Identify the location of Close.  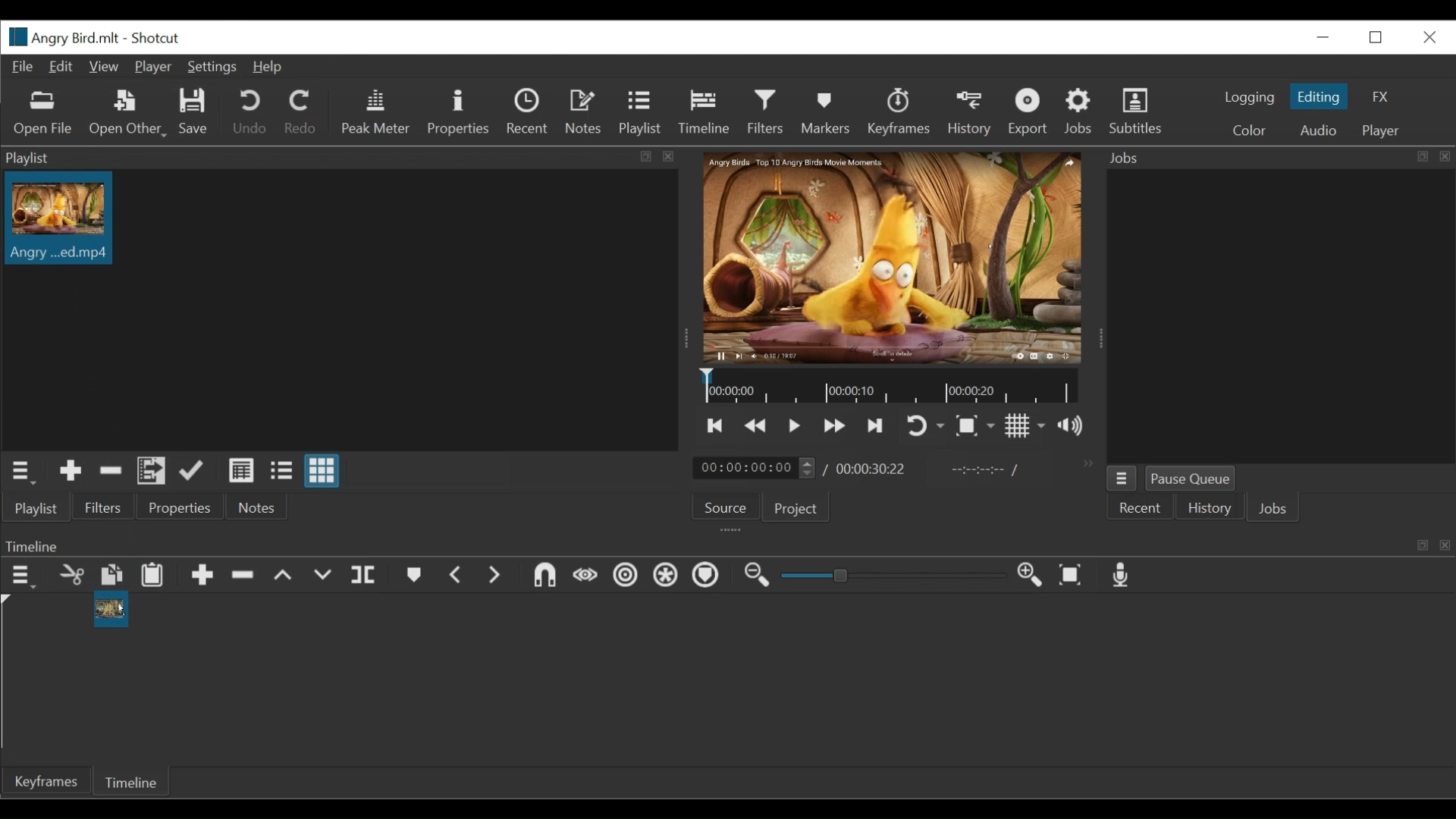
(1428, 38).